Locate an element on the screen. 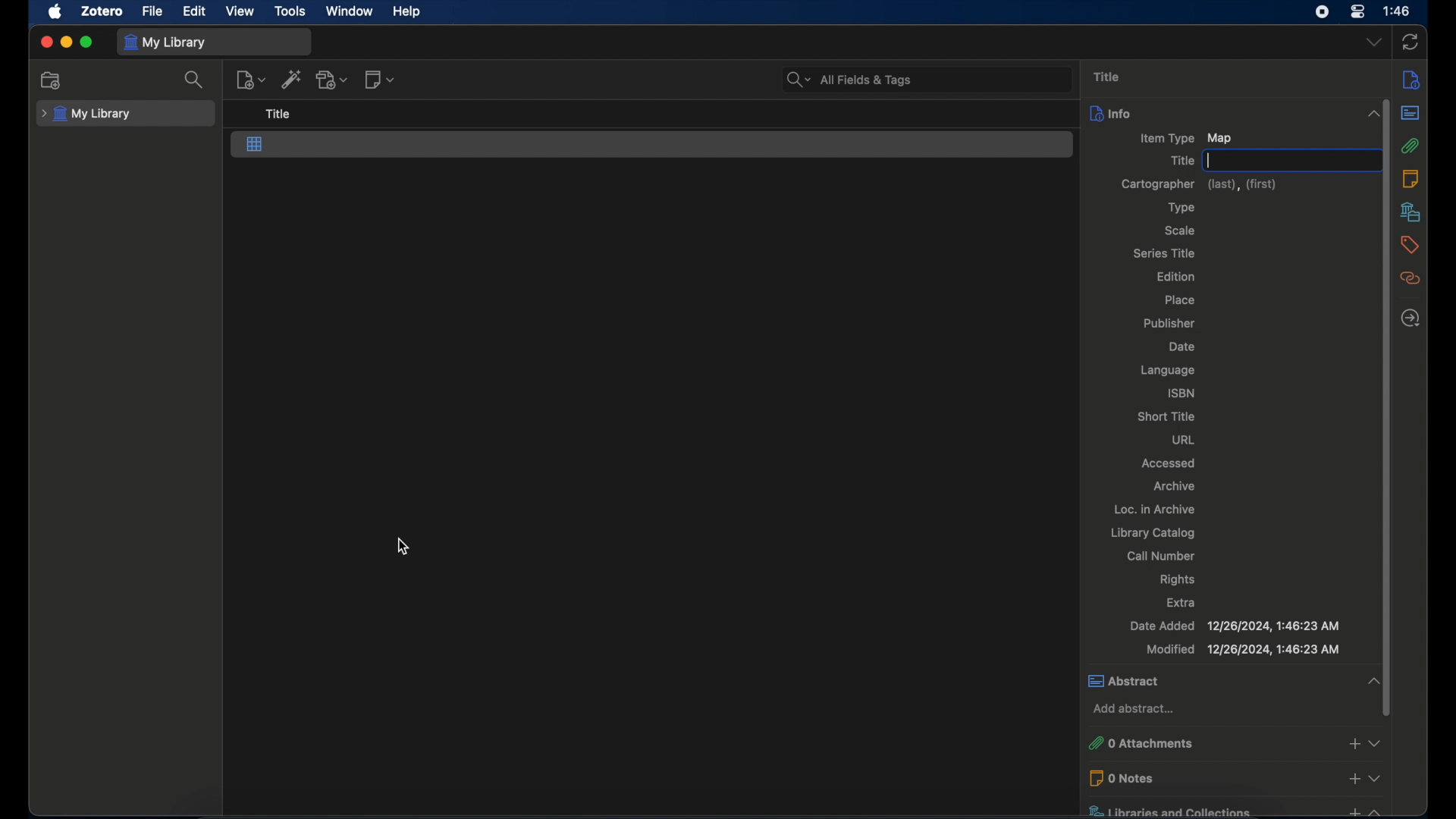 Image resolution: width=1456 pixels, height=819 pixels. date added 12/26/2024, 1:46:23 AM is located at coordinates (1237, 626).